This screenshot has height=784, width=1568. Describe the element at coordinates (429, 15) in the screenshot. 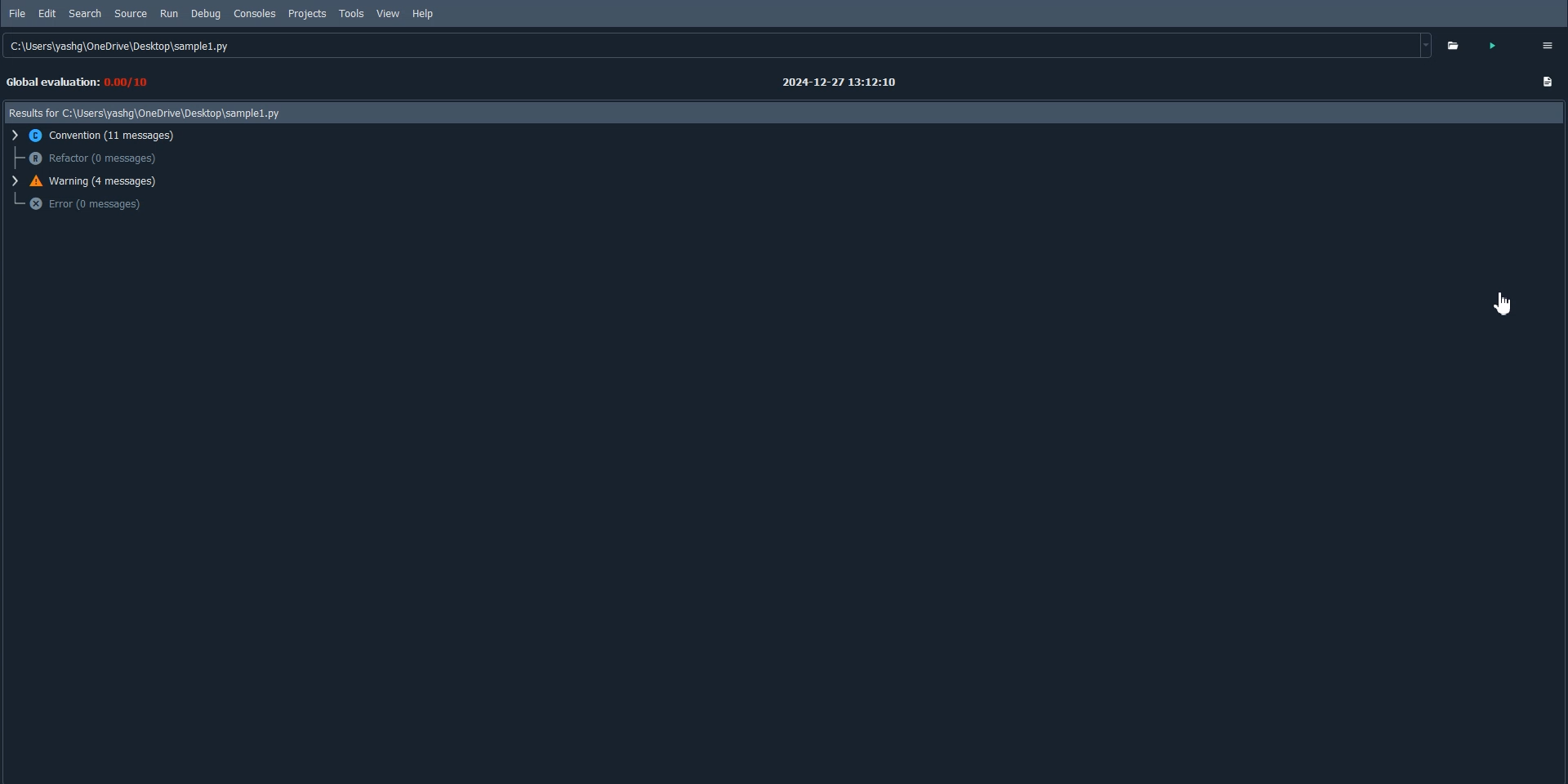

I see `Help` at that location.